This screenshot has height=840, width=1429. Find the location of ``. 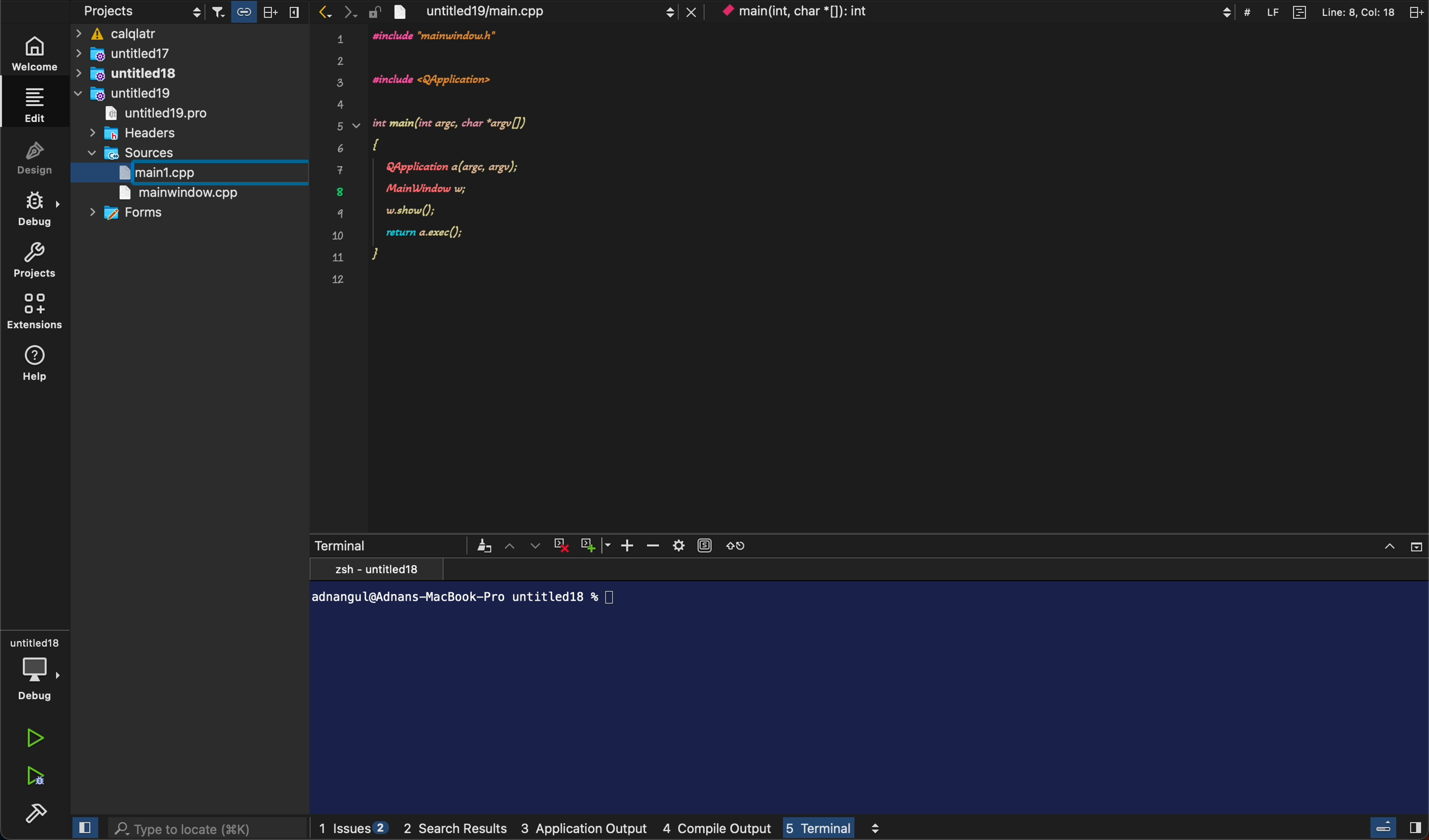

 is located at coordinates (259, 12).